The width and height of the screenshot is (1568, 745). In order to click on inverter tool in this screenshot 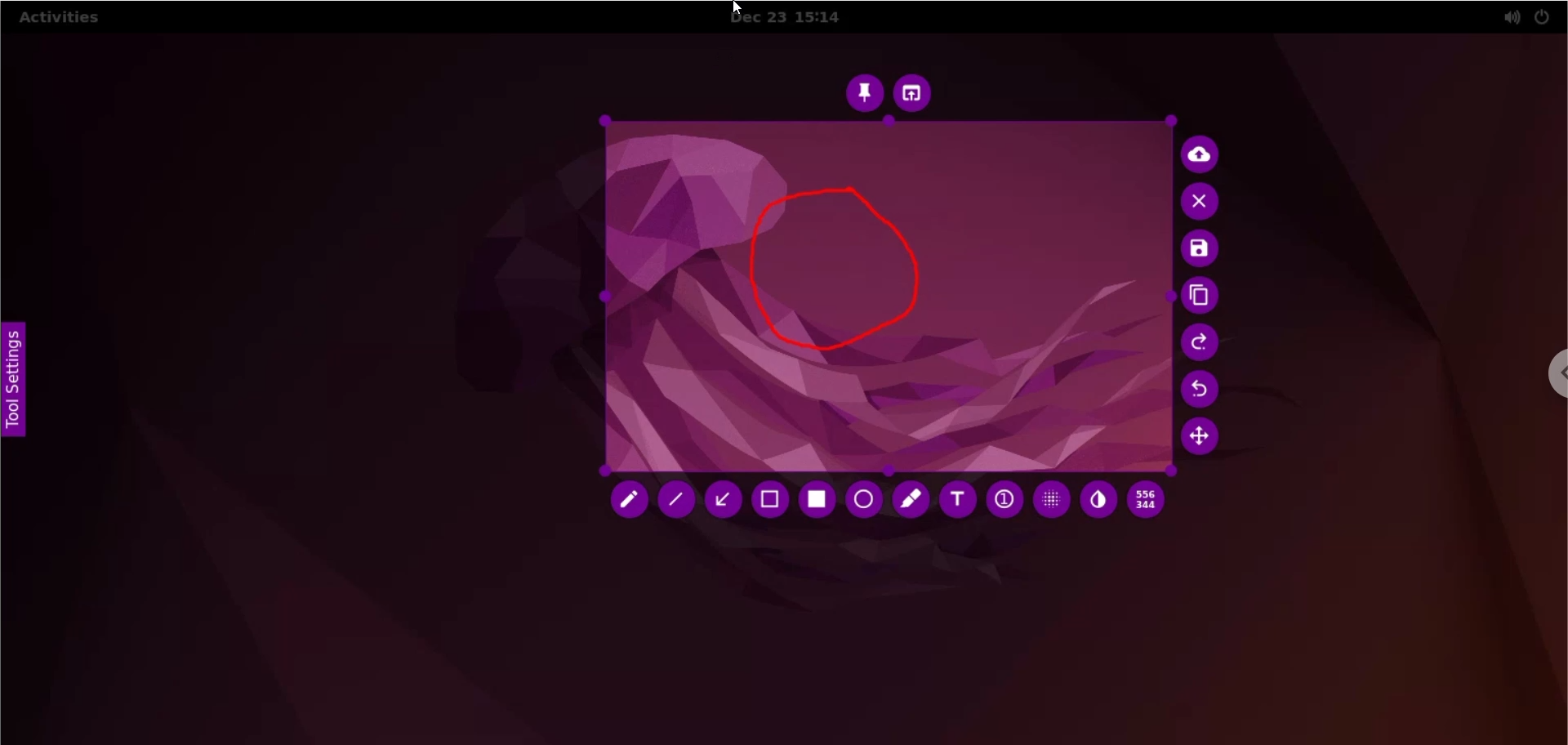, I will do `click(1096, 505)`.